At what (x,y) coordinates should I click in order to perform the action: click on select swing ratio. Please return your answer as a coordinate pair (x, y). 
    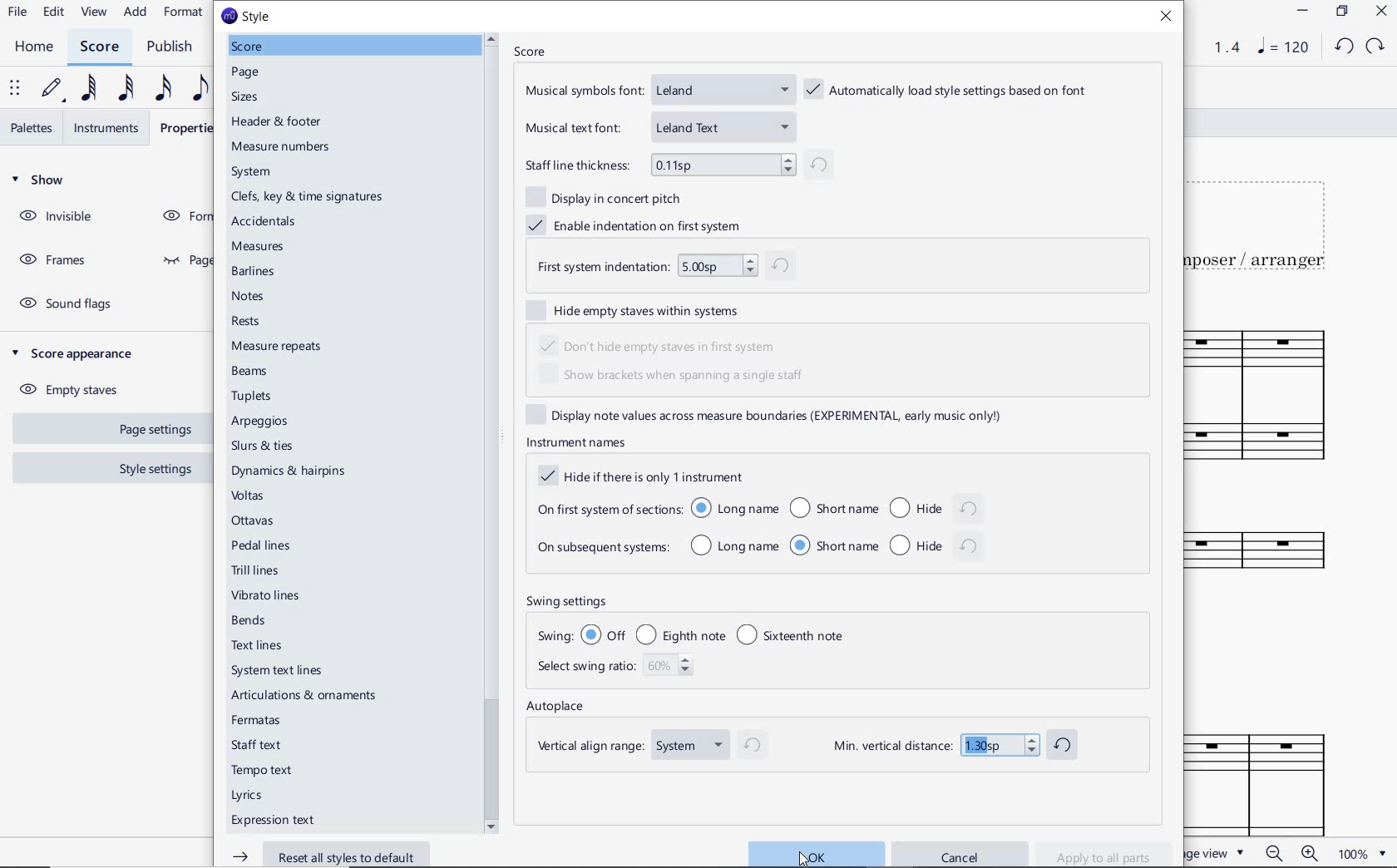
    Looking at the image, I should click on (619, 669).